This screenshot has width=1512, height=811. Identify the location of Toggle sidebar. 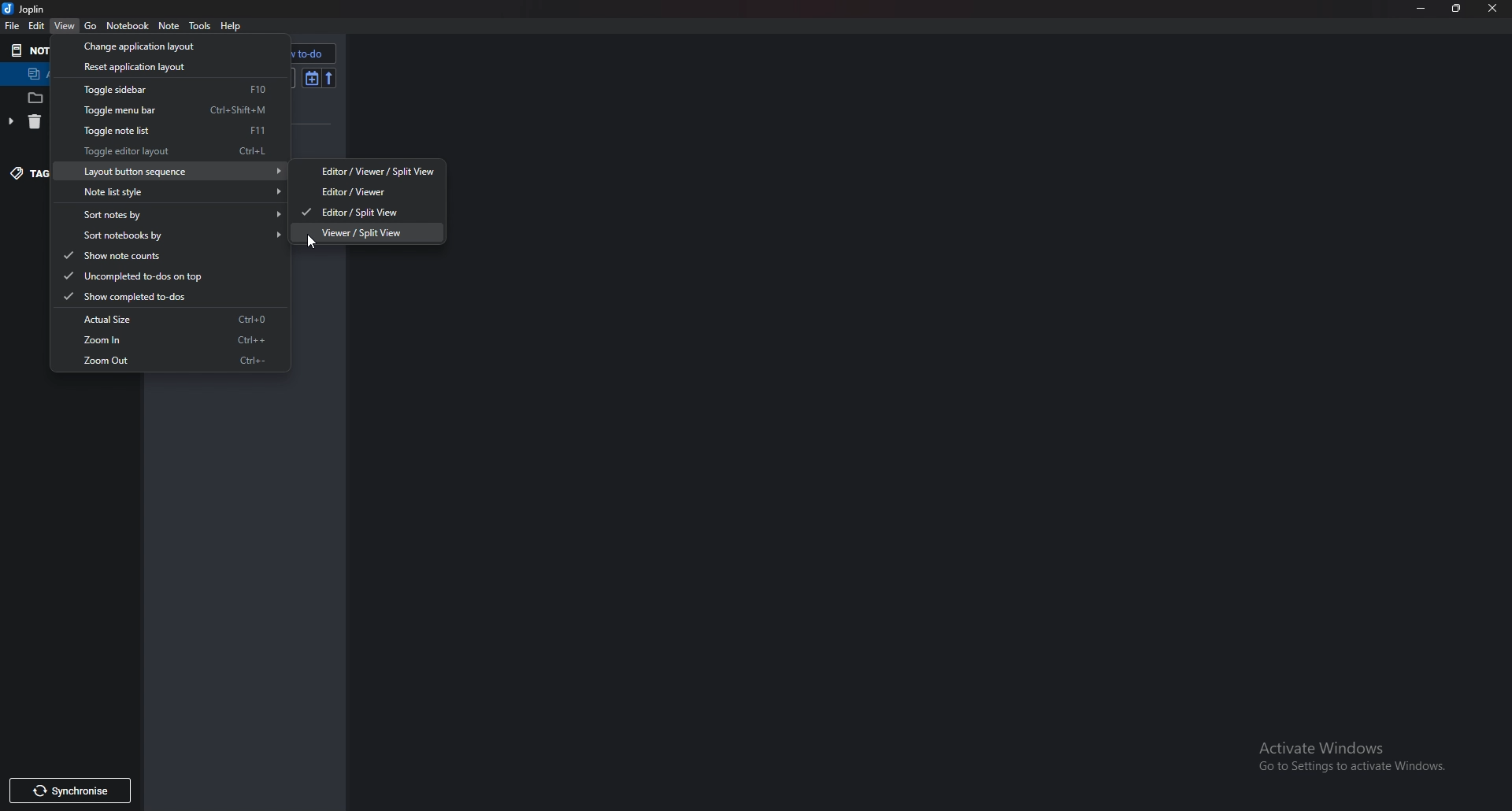
(166, 90).